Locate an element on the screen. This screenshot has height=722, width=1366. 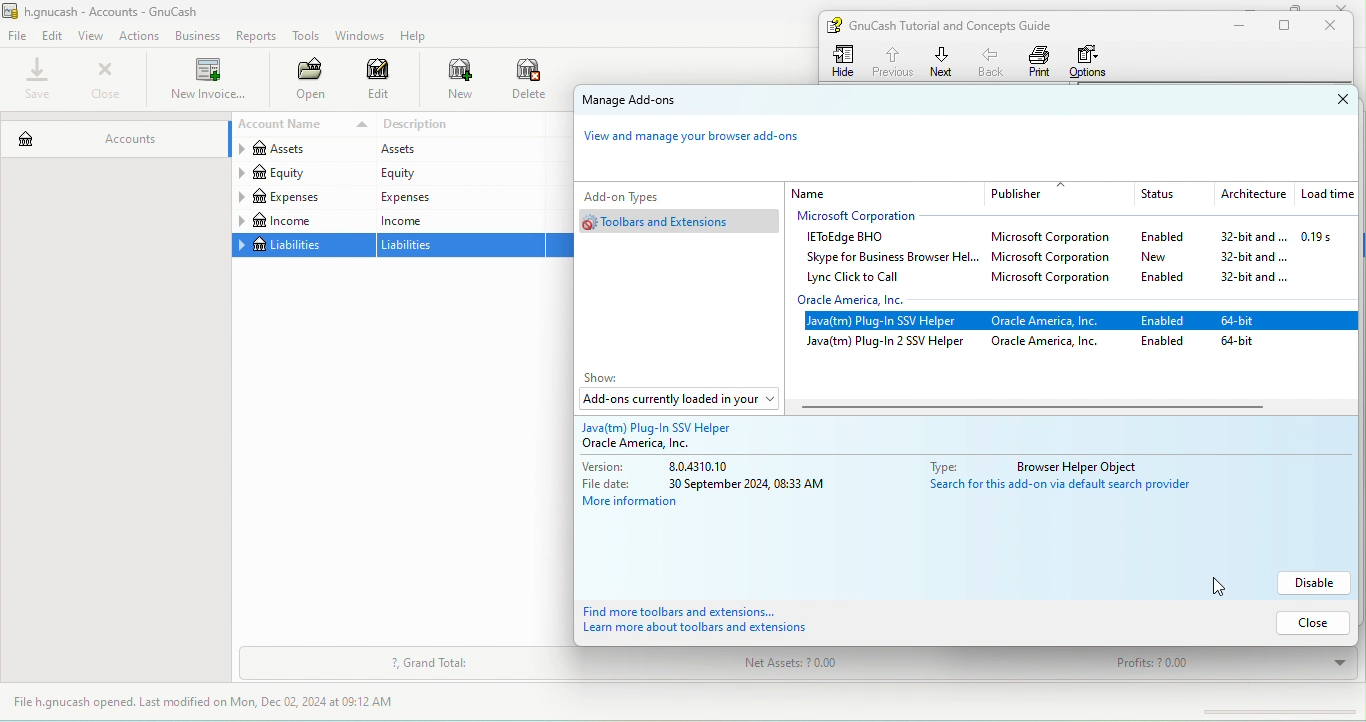
delete is located at coordinates (531, 81).